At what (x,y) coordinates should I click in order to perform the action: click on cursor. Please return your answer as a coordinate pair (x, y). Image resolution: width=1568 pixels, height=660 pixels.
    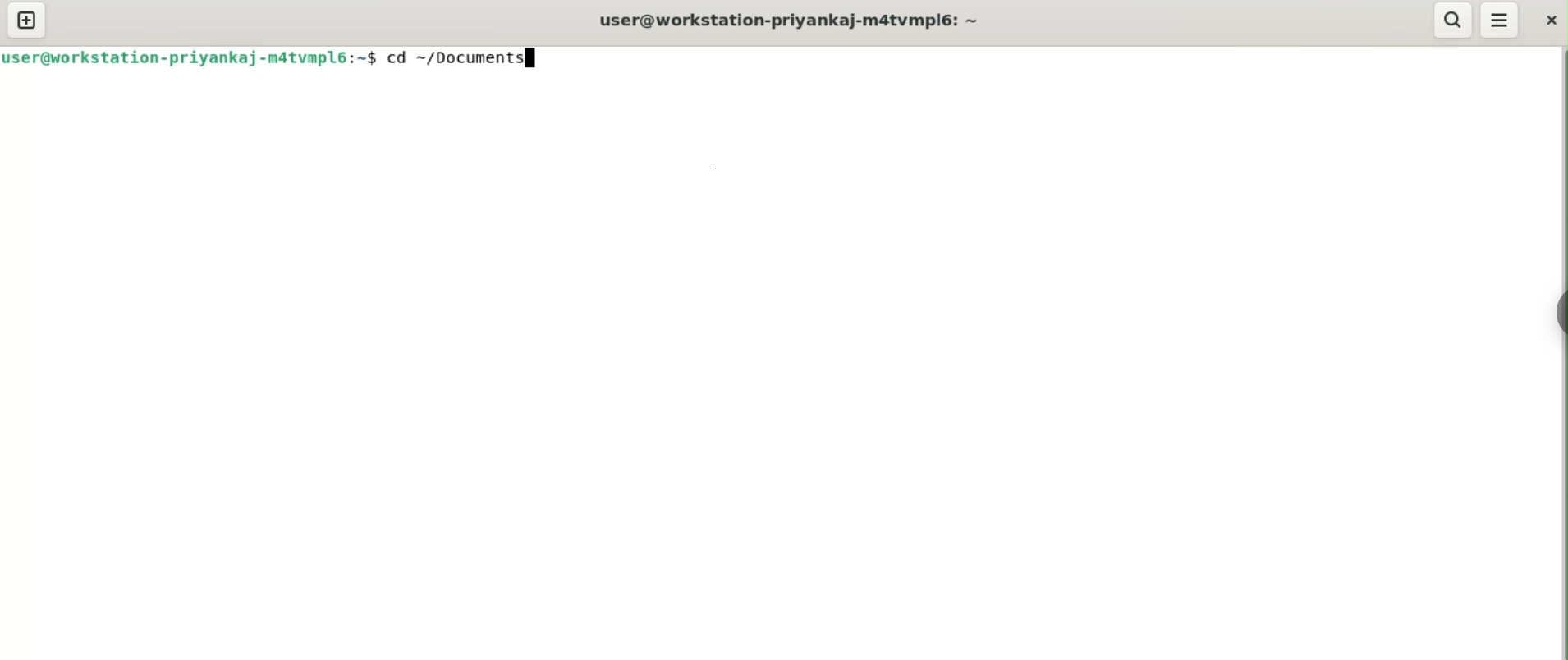
    Looking at the image, I should click on (534, 60).